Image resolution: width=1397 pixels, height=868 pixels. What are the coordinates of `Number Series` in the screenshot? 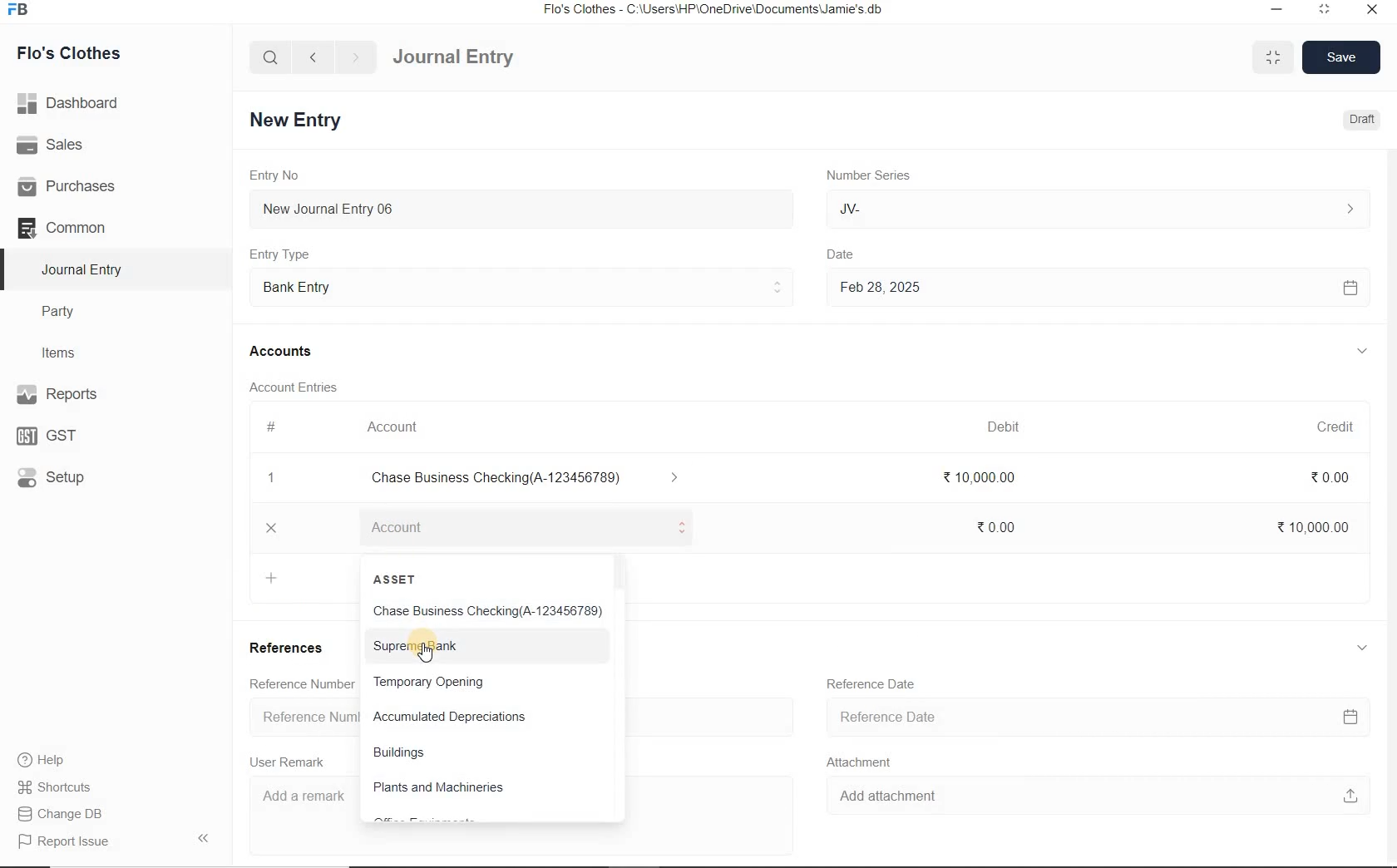 It's located at (861, 175).